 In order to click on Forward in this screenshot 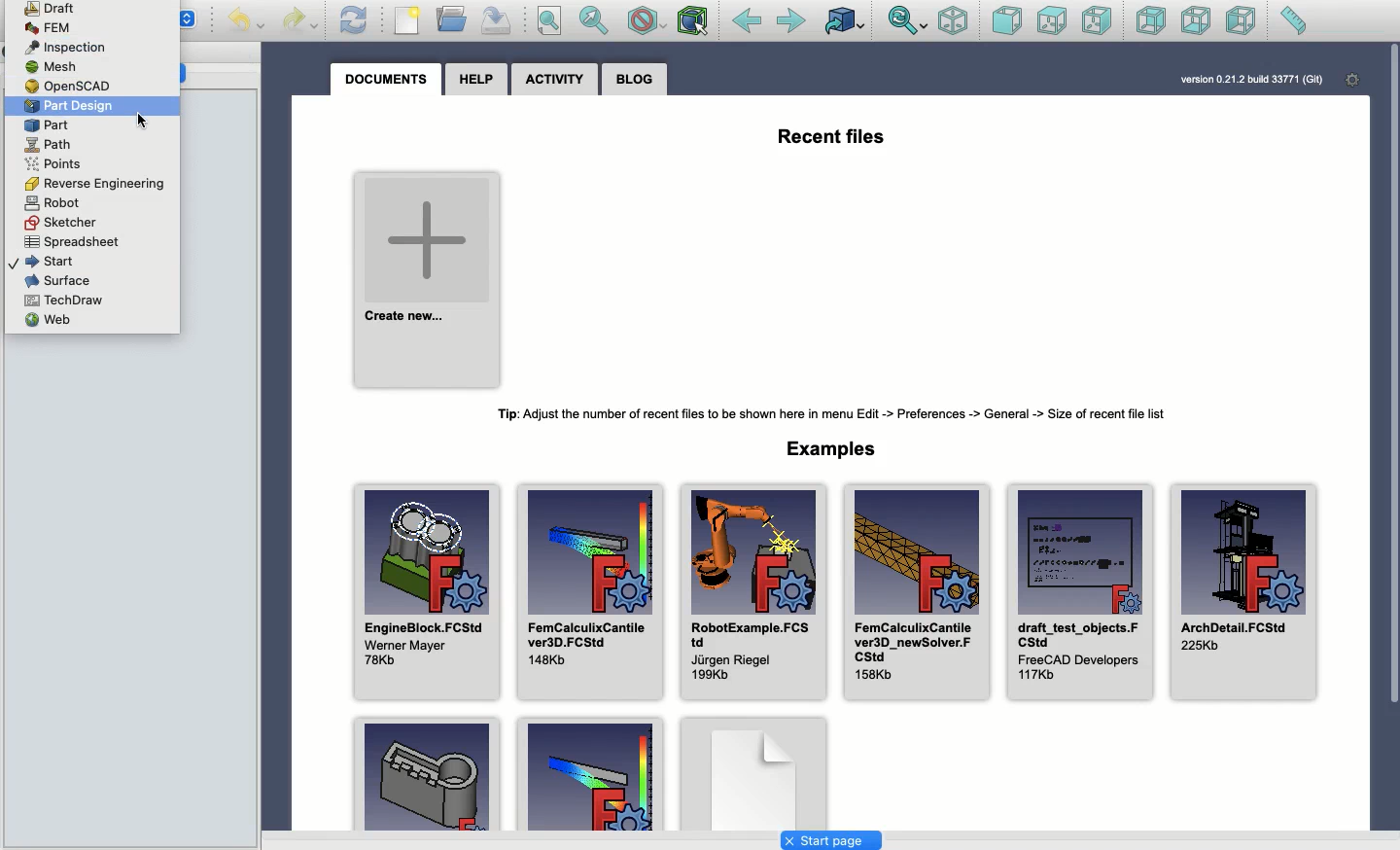, I will do `click(791, 20)`.